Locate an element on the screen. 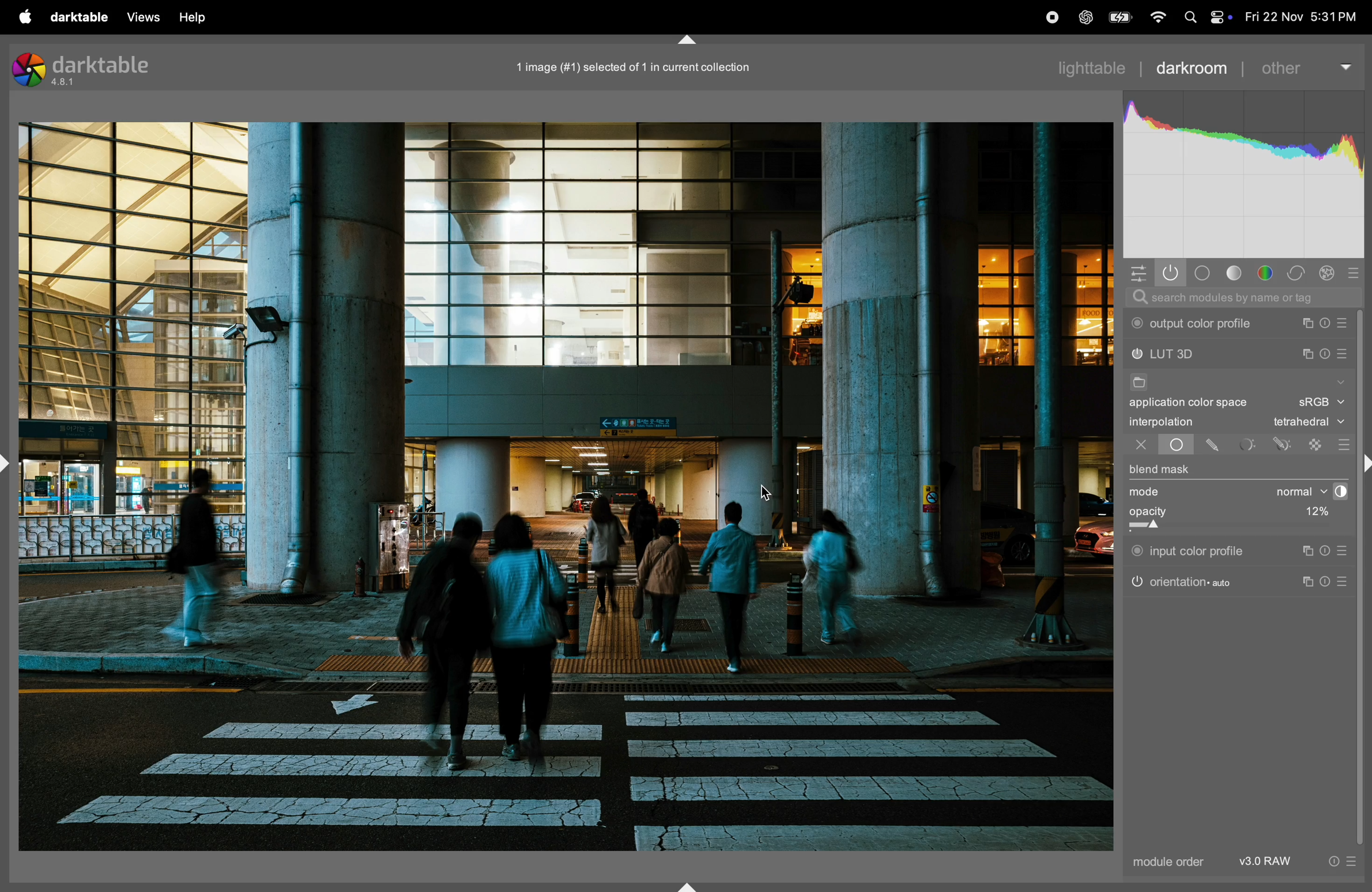 Image resolution: width=1372 pixels, height=892 pixels.  is located at coordinates (1363, 465).